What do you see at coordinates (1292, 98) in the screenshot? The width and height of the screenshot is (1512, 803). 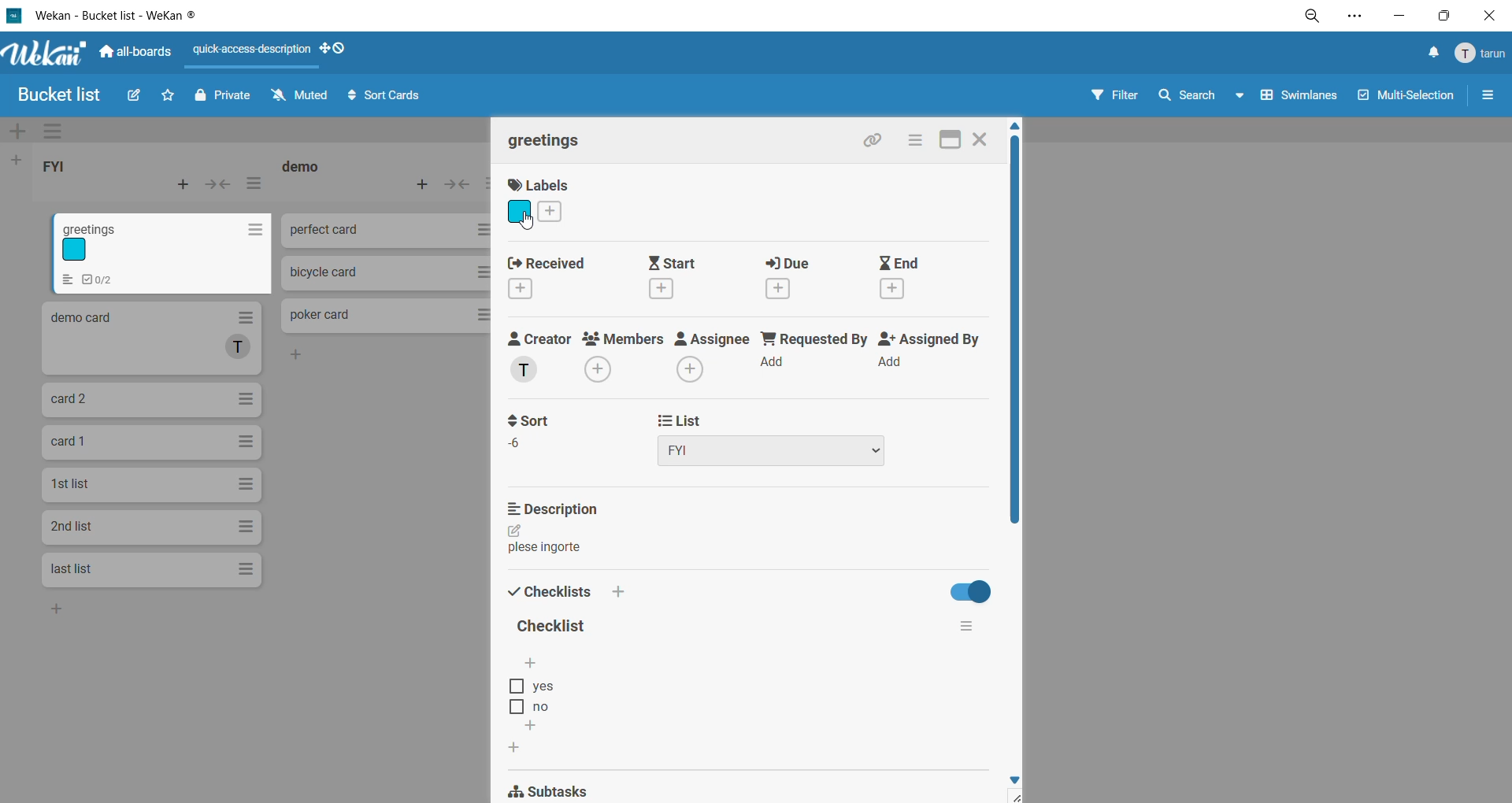 I see `swimlanes` at bounding box center [1292, 98].